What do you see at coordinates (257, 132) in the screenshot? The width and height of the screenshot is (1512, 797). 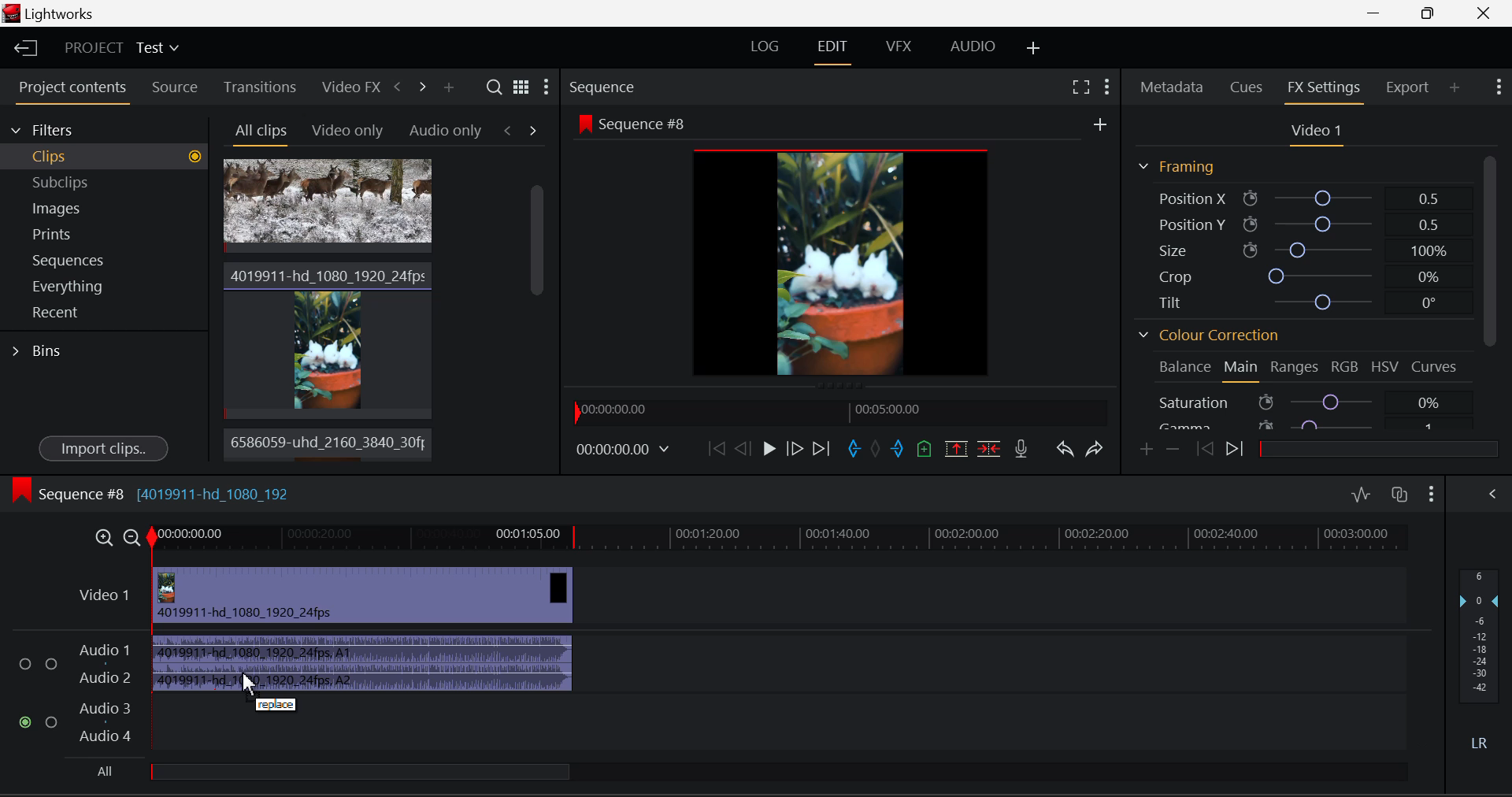 I see `All clips tab open` at bounding box center [257, 132].